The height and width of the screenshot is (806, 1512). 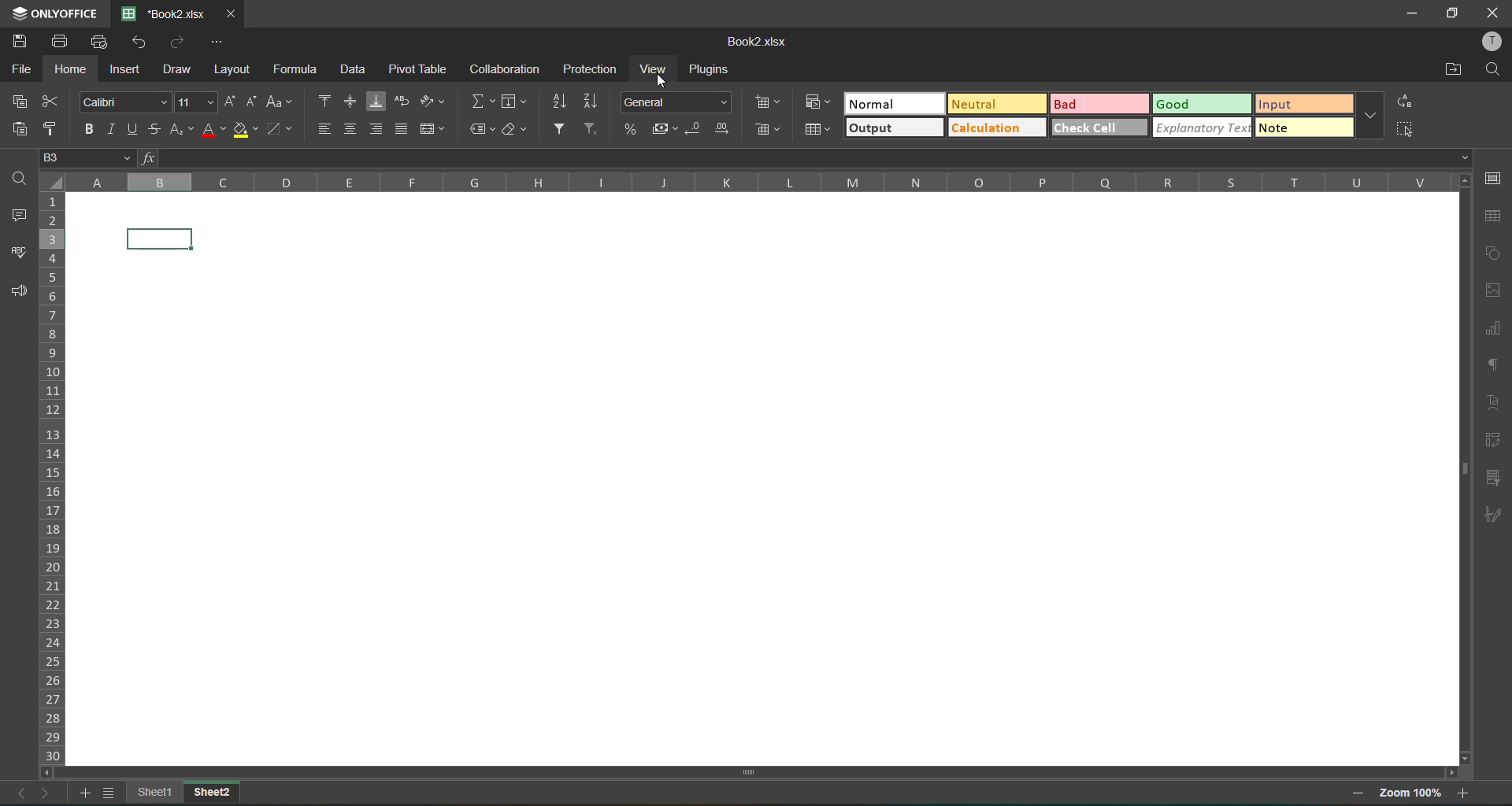 I want to click on font size, so click(x=200, y=102).